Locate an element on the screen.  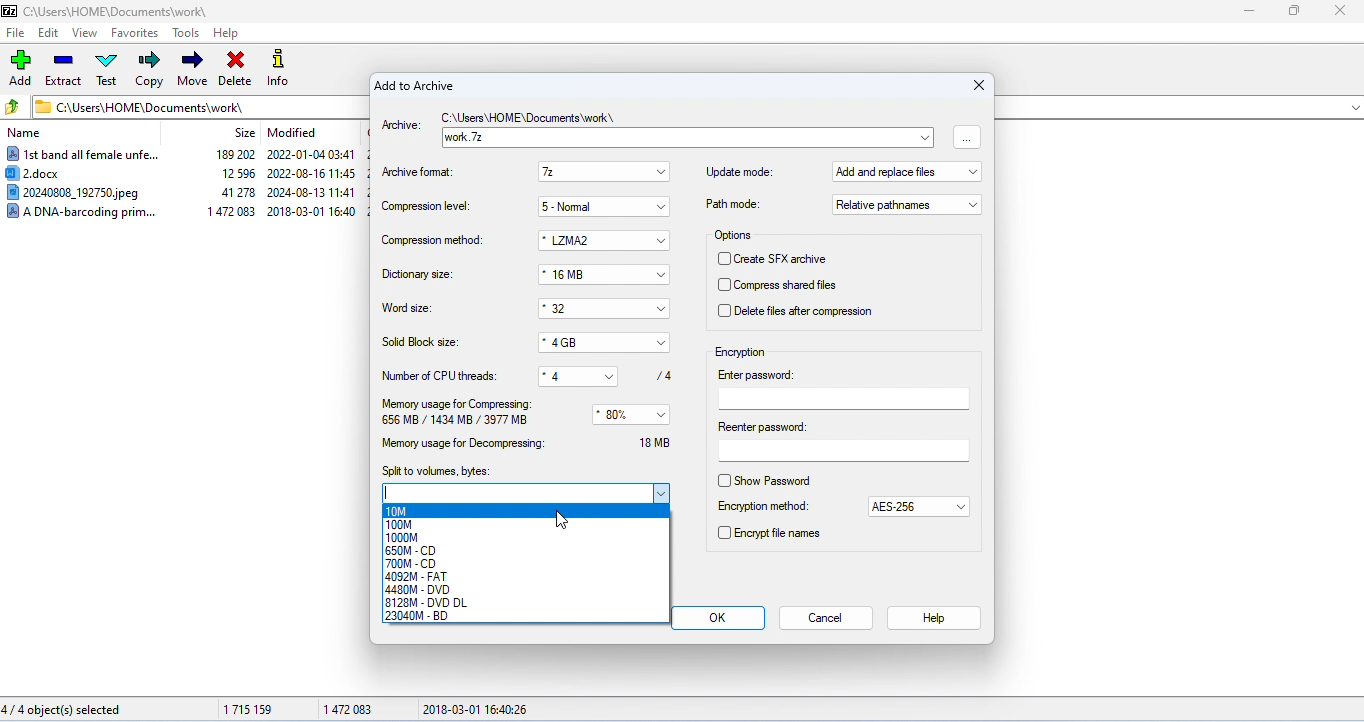
2340M-BD is located at coordinates (425, 616).